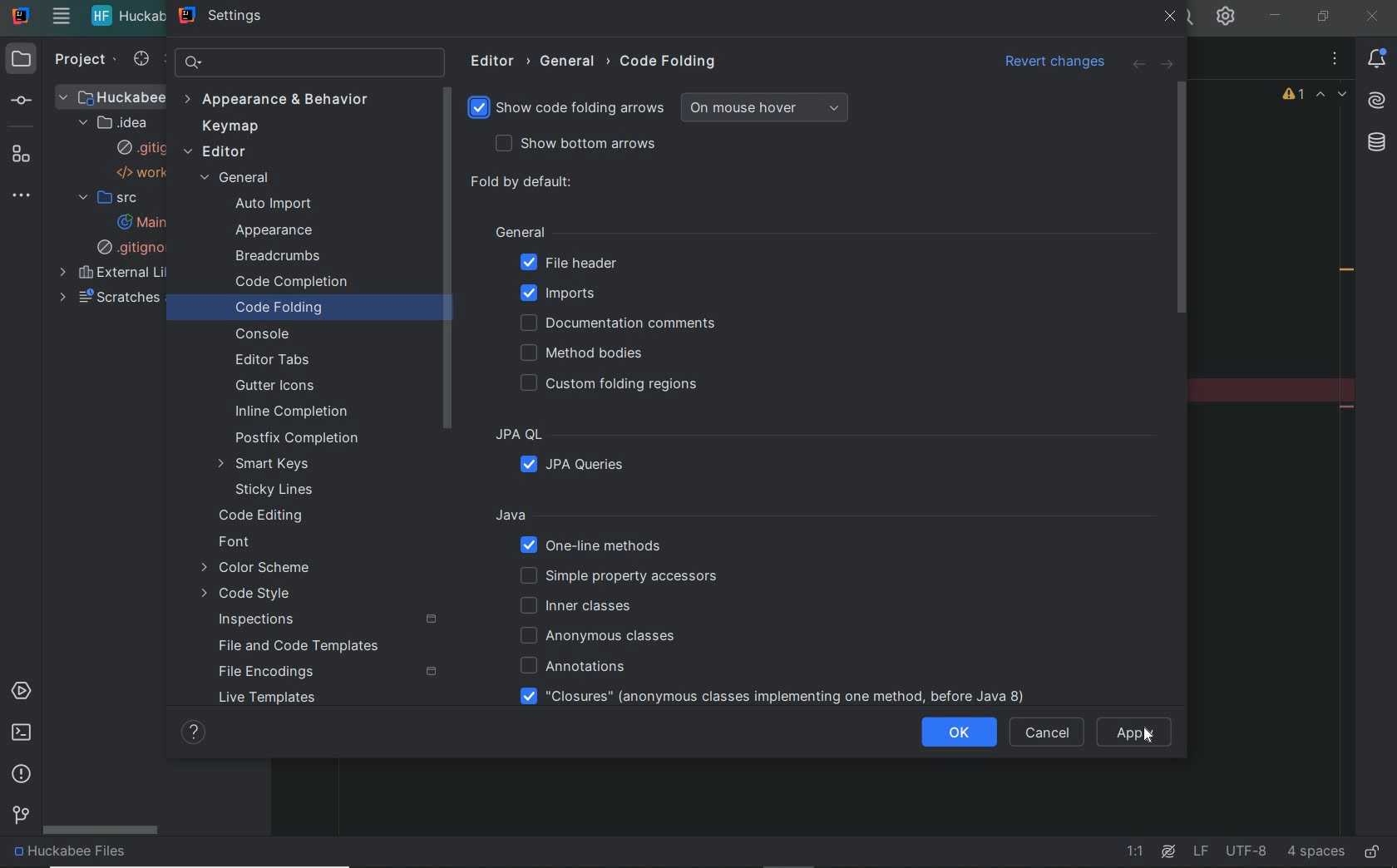 The image size is (1397, 868). What do you see at coordinates (146, 174) in the screenshot?
I see `workspace.xml` at bounding box center [146, 174].